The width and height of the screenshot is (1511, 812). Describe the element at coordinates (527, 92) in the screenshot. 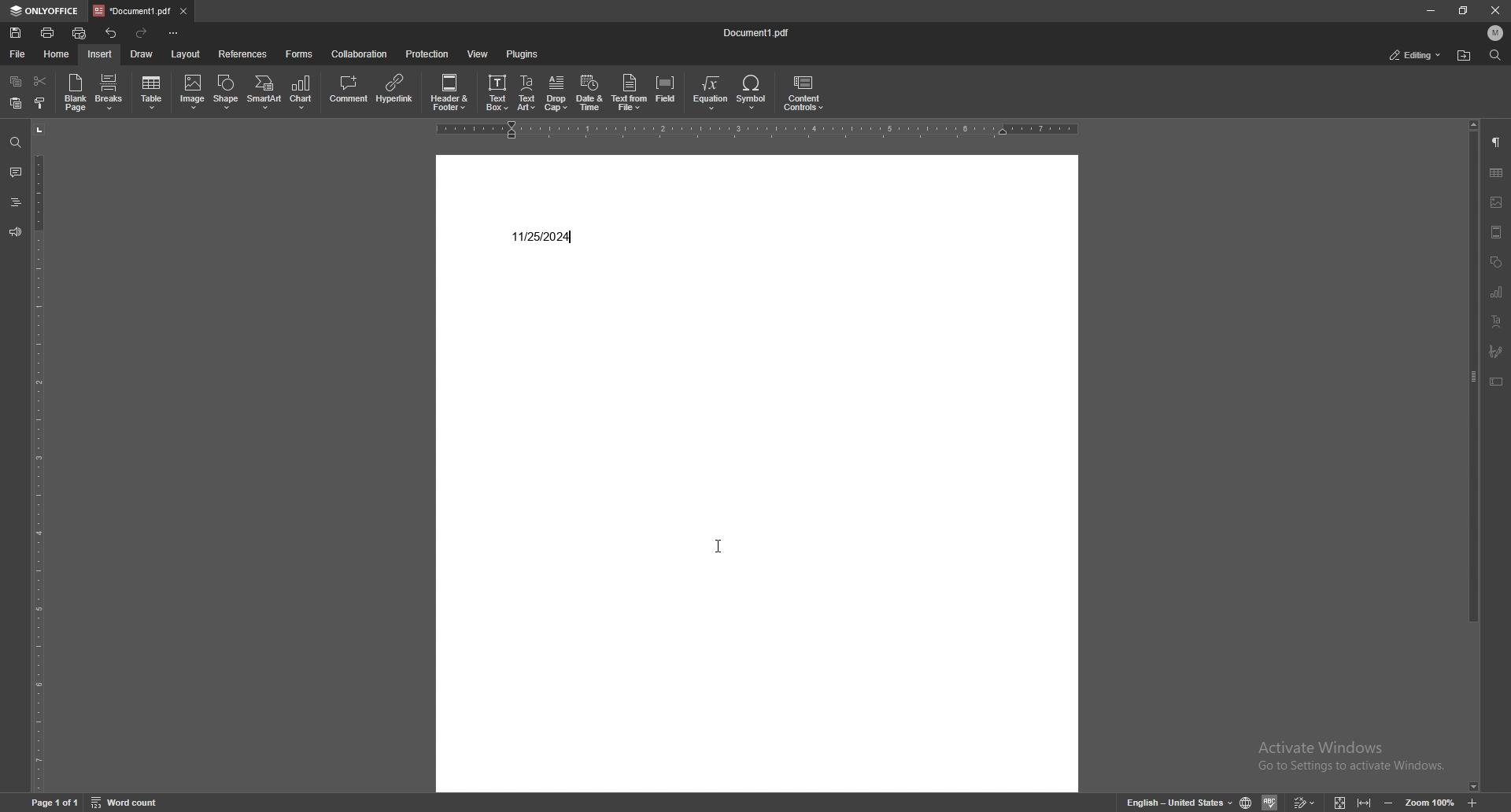

I see `text art` at that location.